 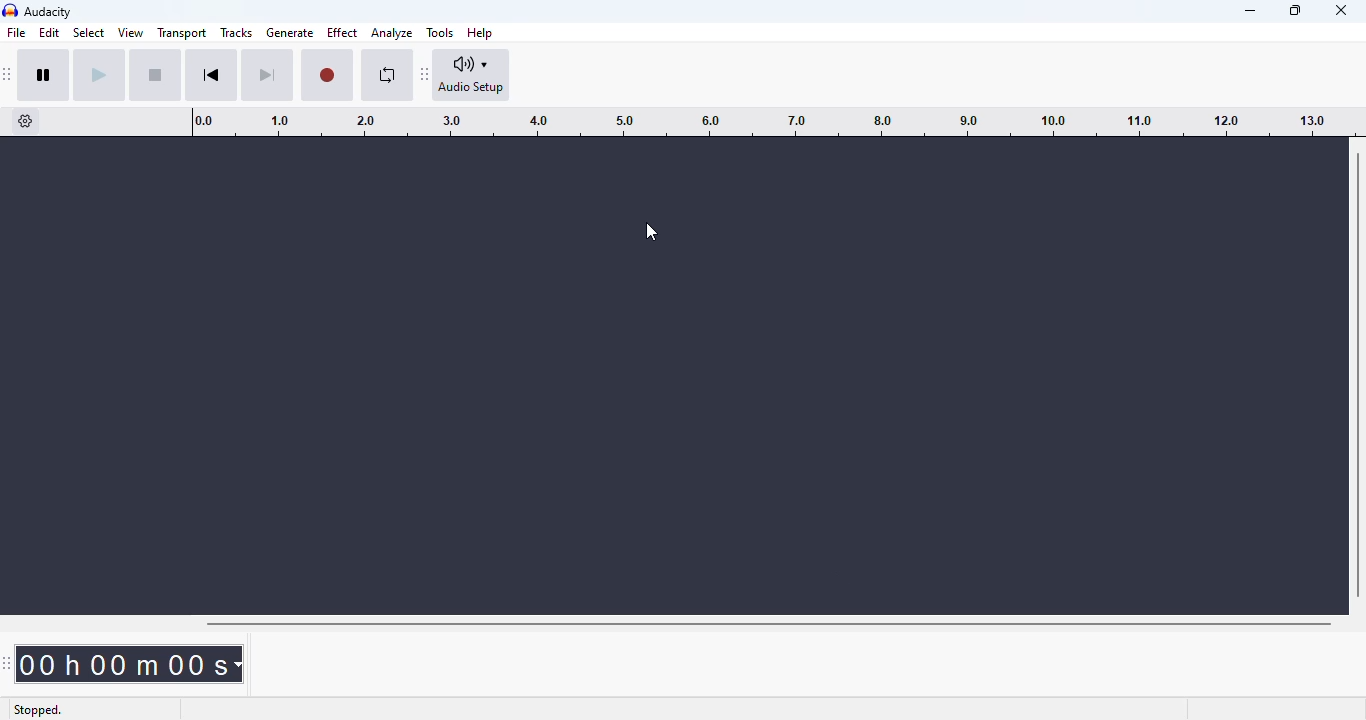 I want to click on view, so click(x=131, y=33).